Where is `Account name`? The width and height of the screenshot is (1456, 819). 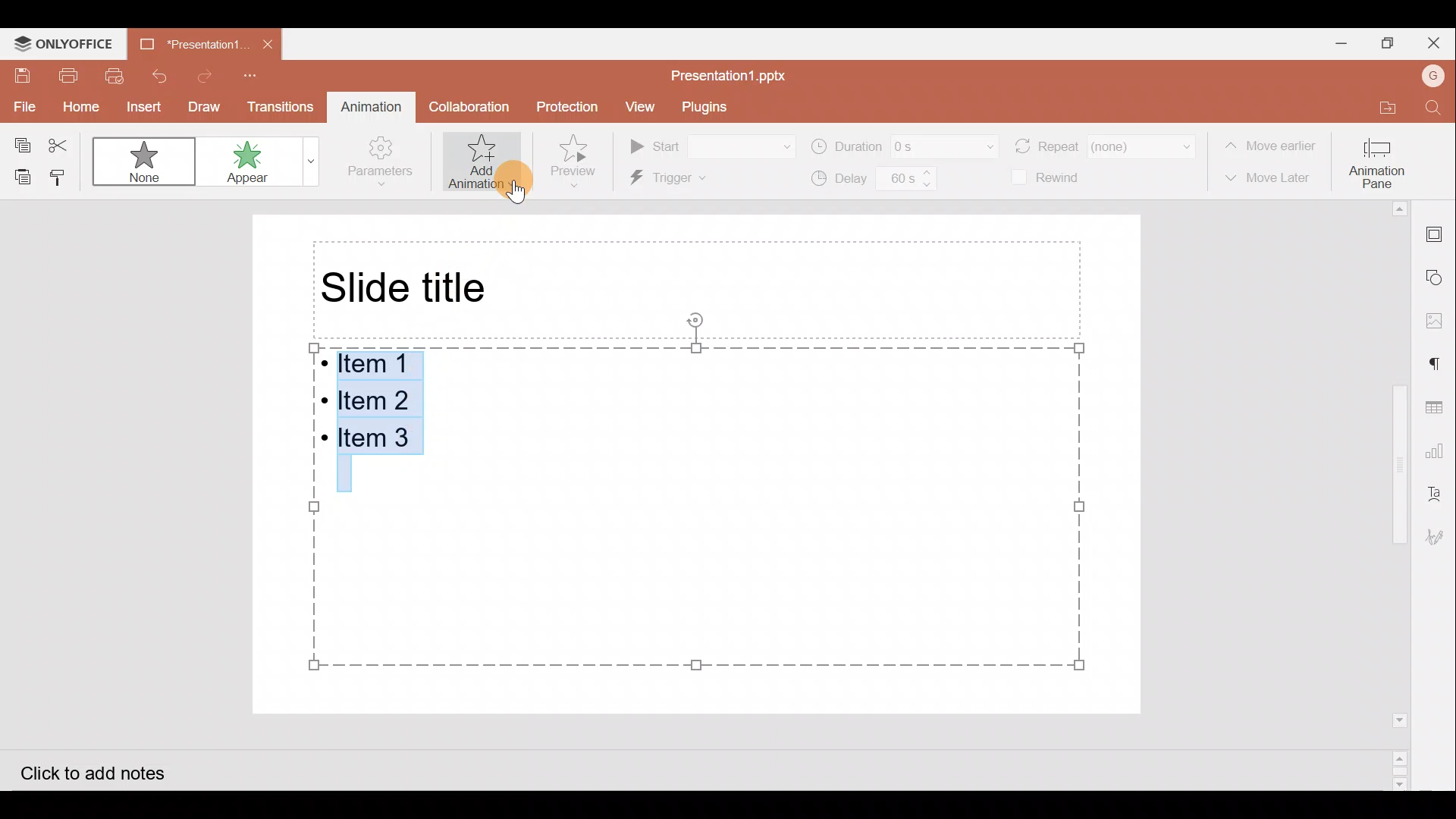 Account name is located at coordinates (1434, 76).